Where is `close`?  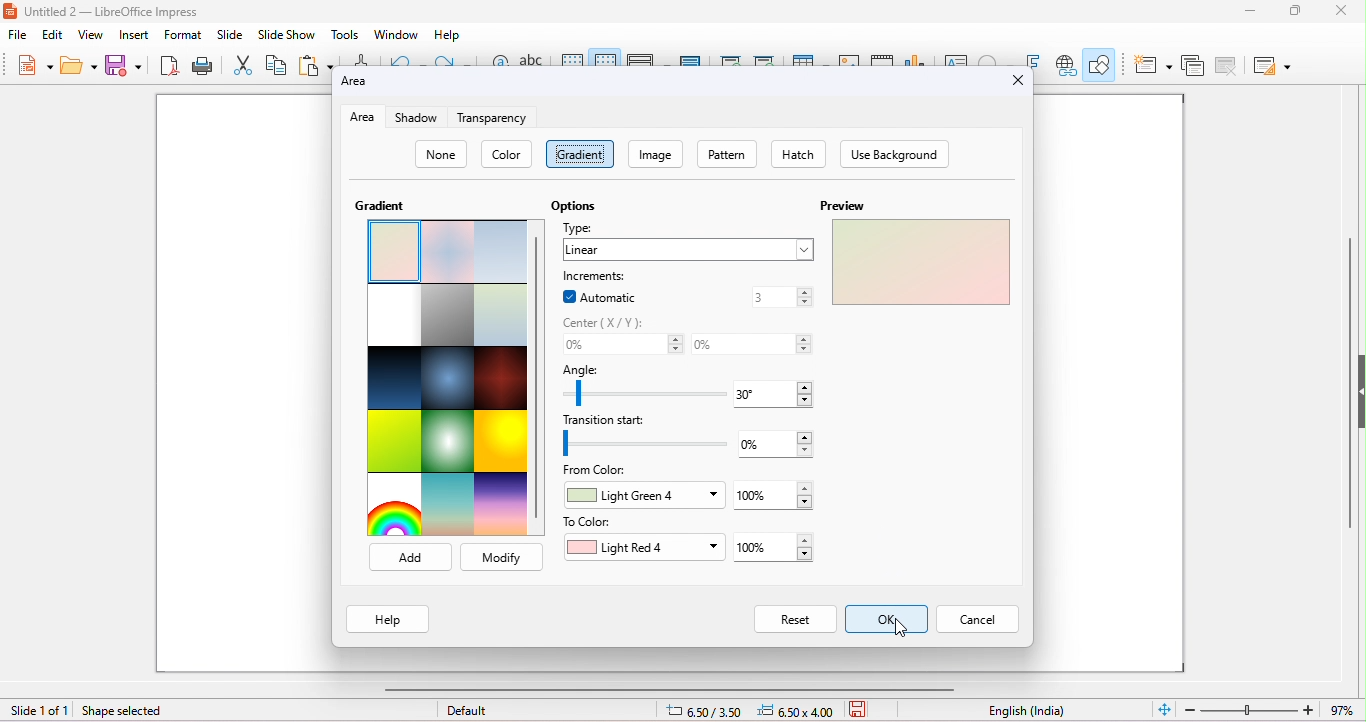
close is located at coordinates (1019, 81).